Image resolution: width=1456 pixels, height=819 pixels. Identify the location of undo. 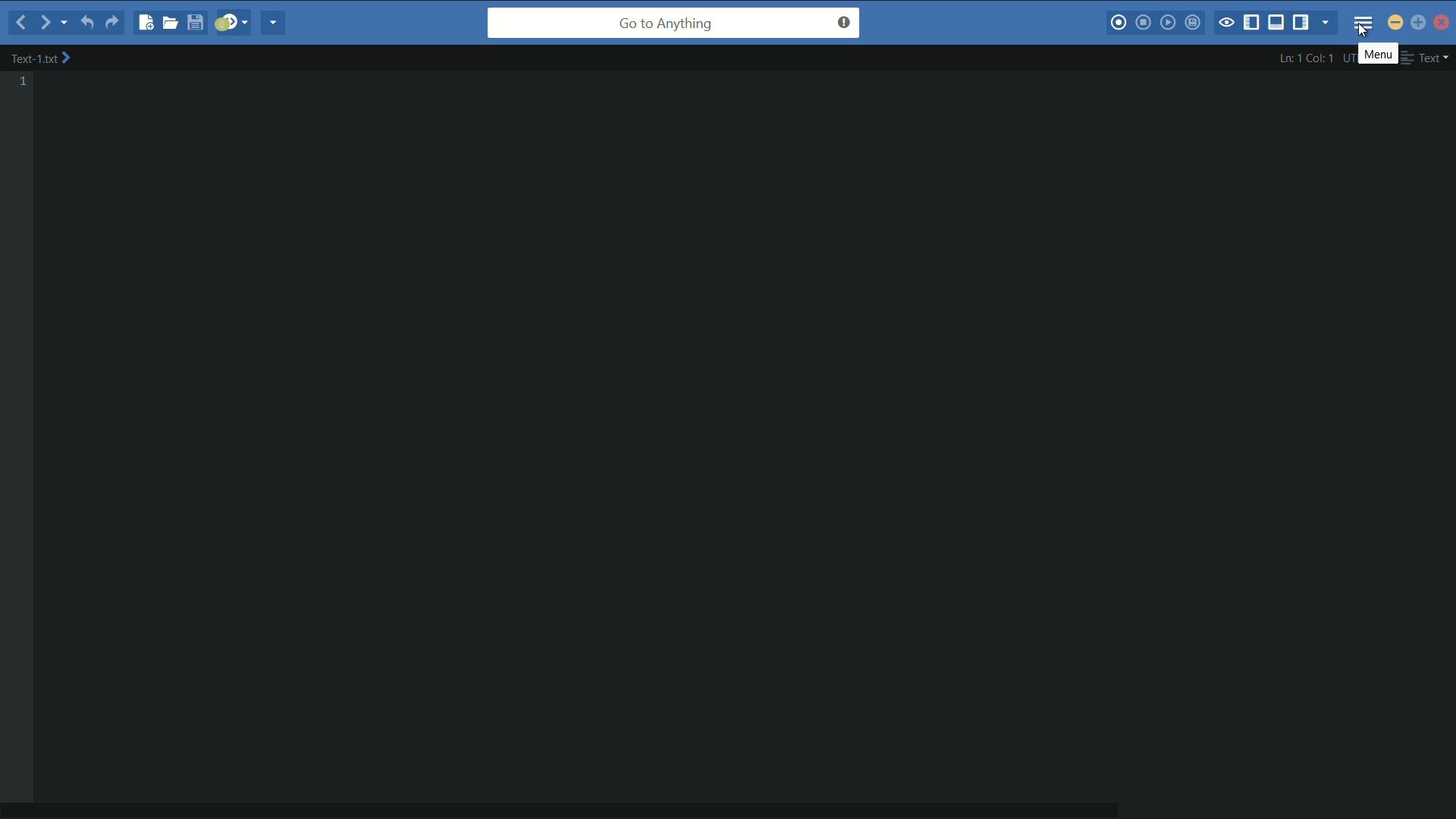
(86, 23).